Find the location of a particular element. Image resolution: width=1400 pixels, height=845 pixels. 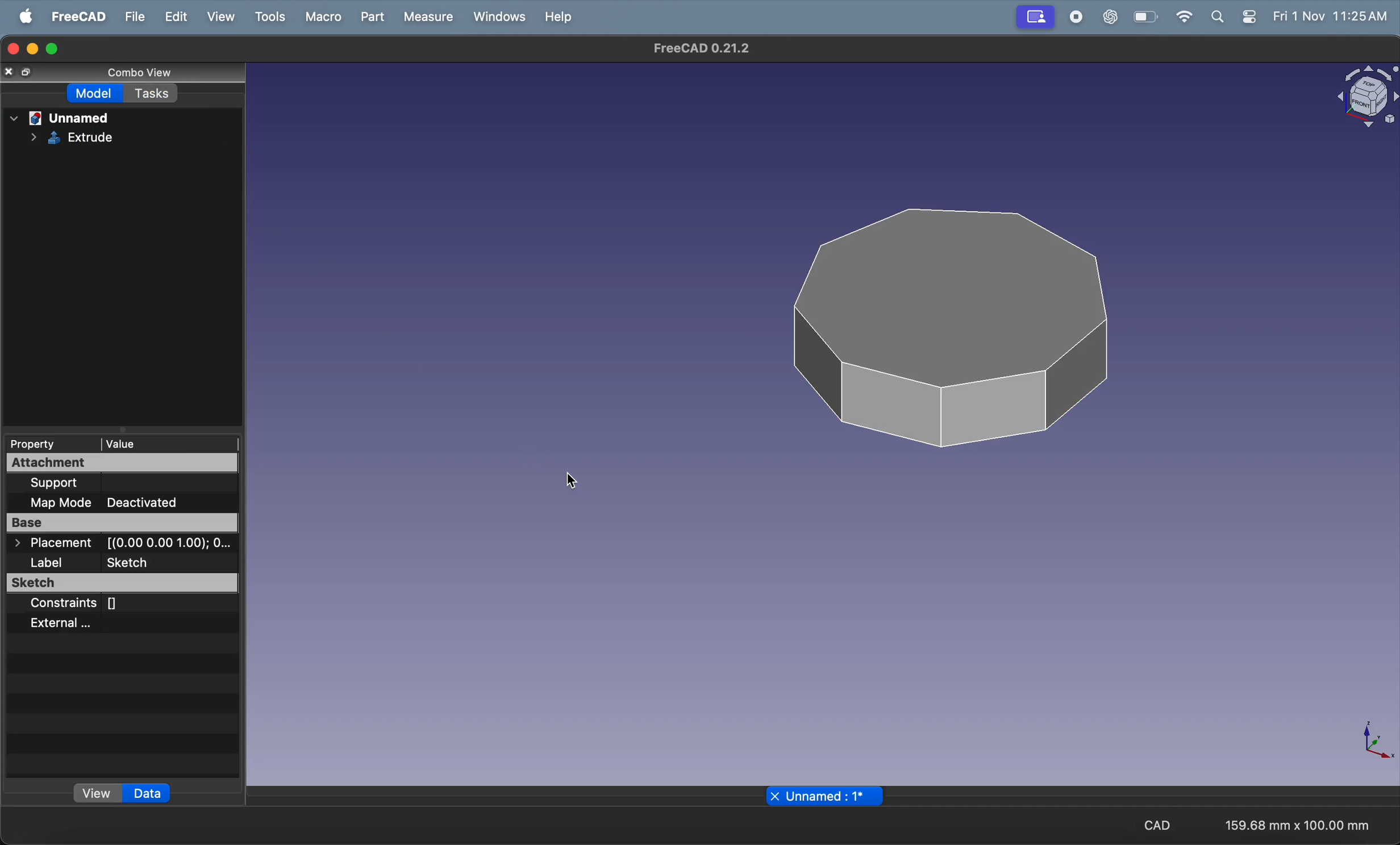

base is located at coordinates (124, 522).